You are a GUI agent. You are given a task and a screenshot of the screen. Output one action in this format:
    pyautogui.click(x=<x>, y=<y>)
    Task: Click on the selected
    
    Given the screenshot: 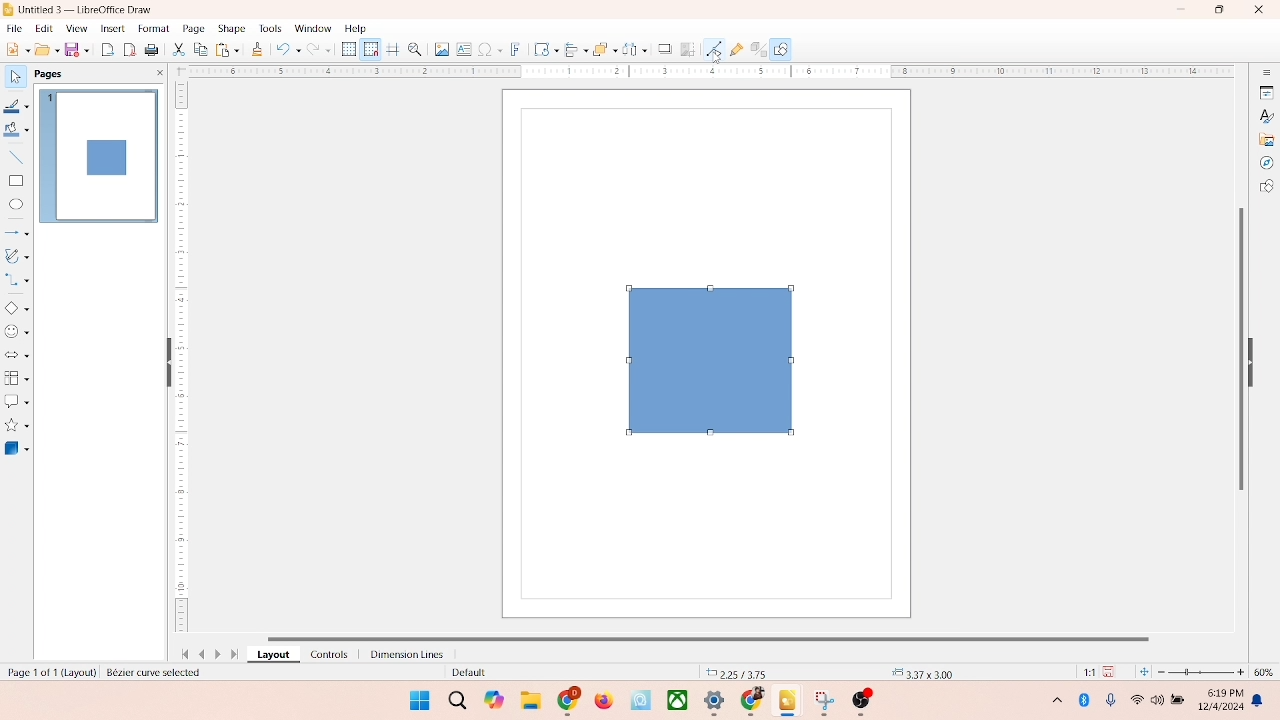 What is the action you would take?
    pyautogui.click(x=157, y=673)
    